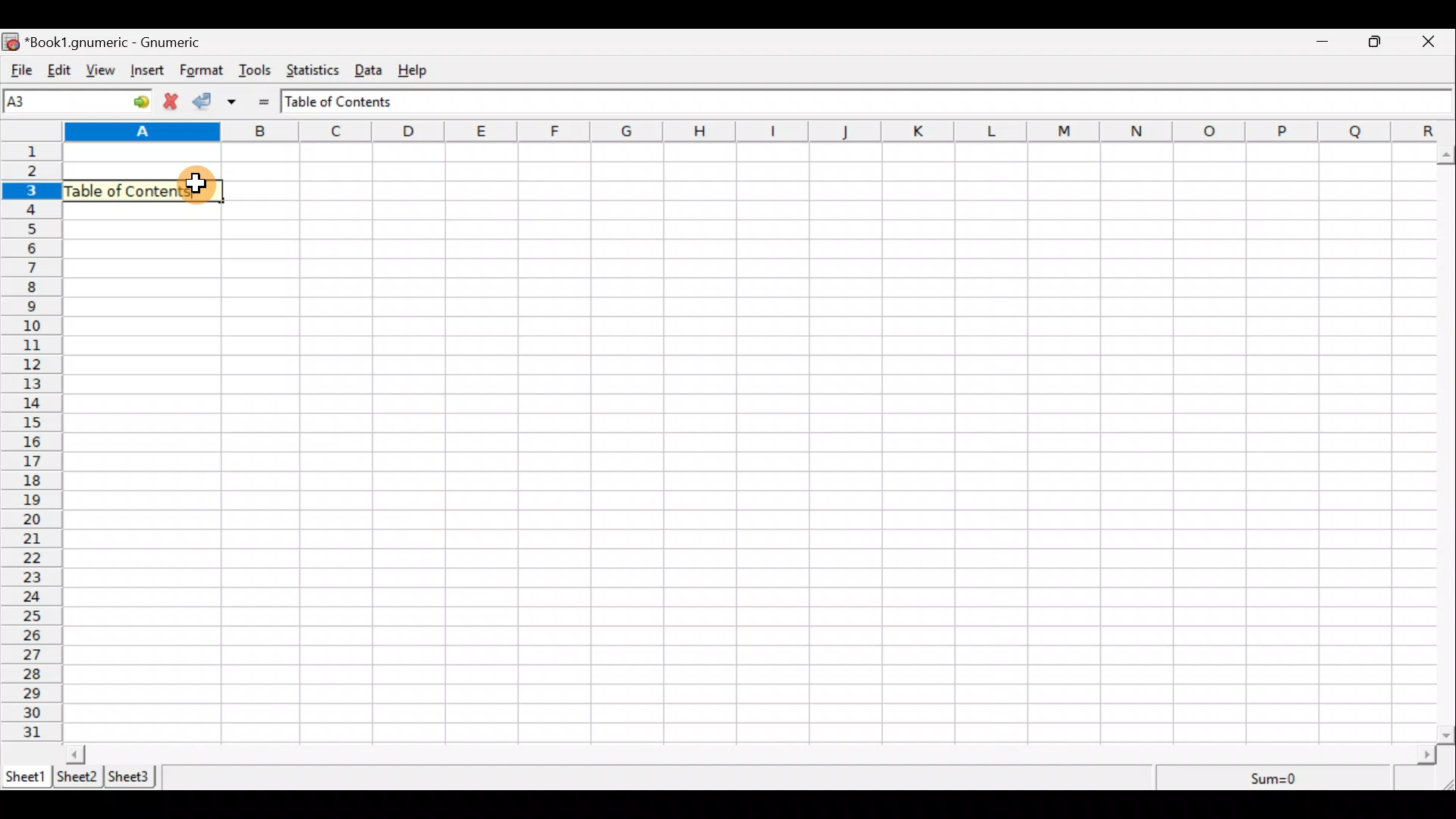  What do you see at coordinates (752, 754) in the screenshot?
I see `Scroll bar` at bounding box center [752, 754].